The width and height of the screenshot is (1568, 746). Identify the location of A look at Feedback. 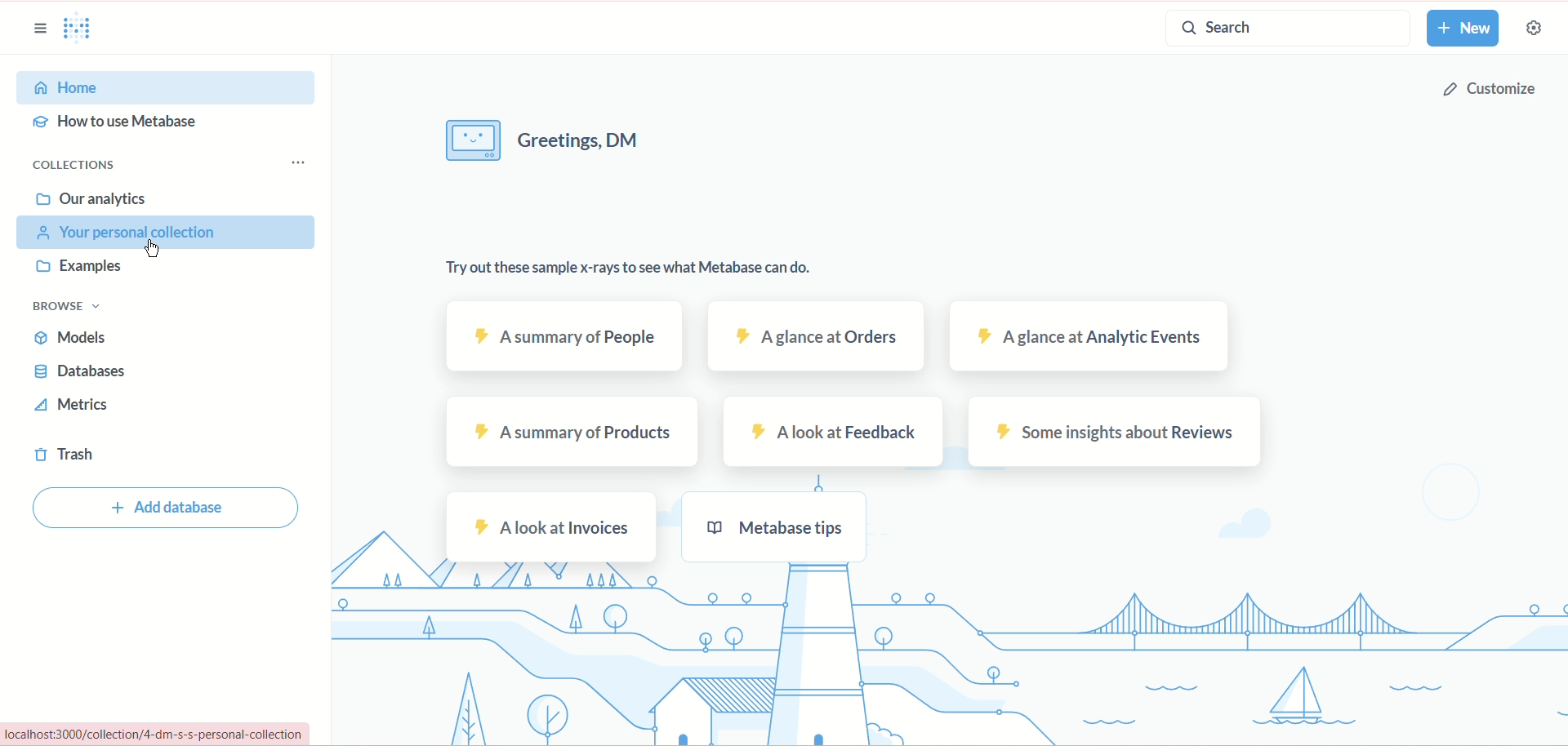
(831, 430).